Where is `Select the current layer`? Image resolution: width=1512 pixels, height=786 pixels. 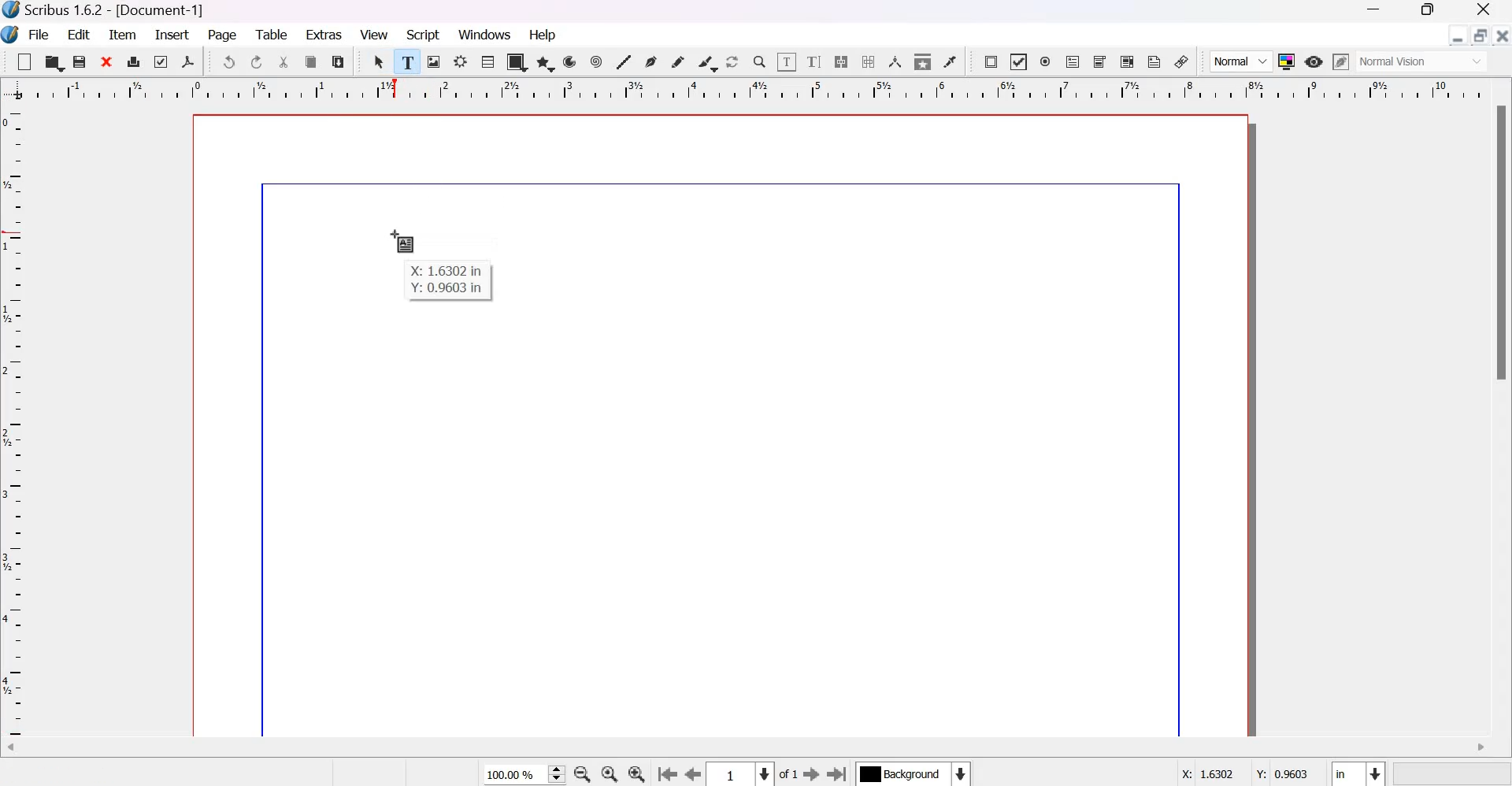
Select the current layer is located at coordinates (912, 773).